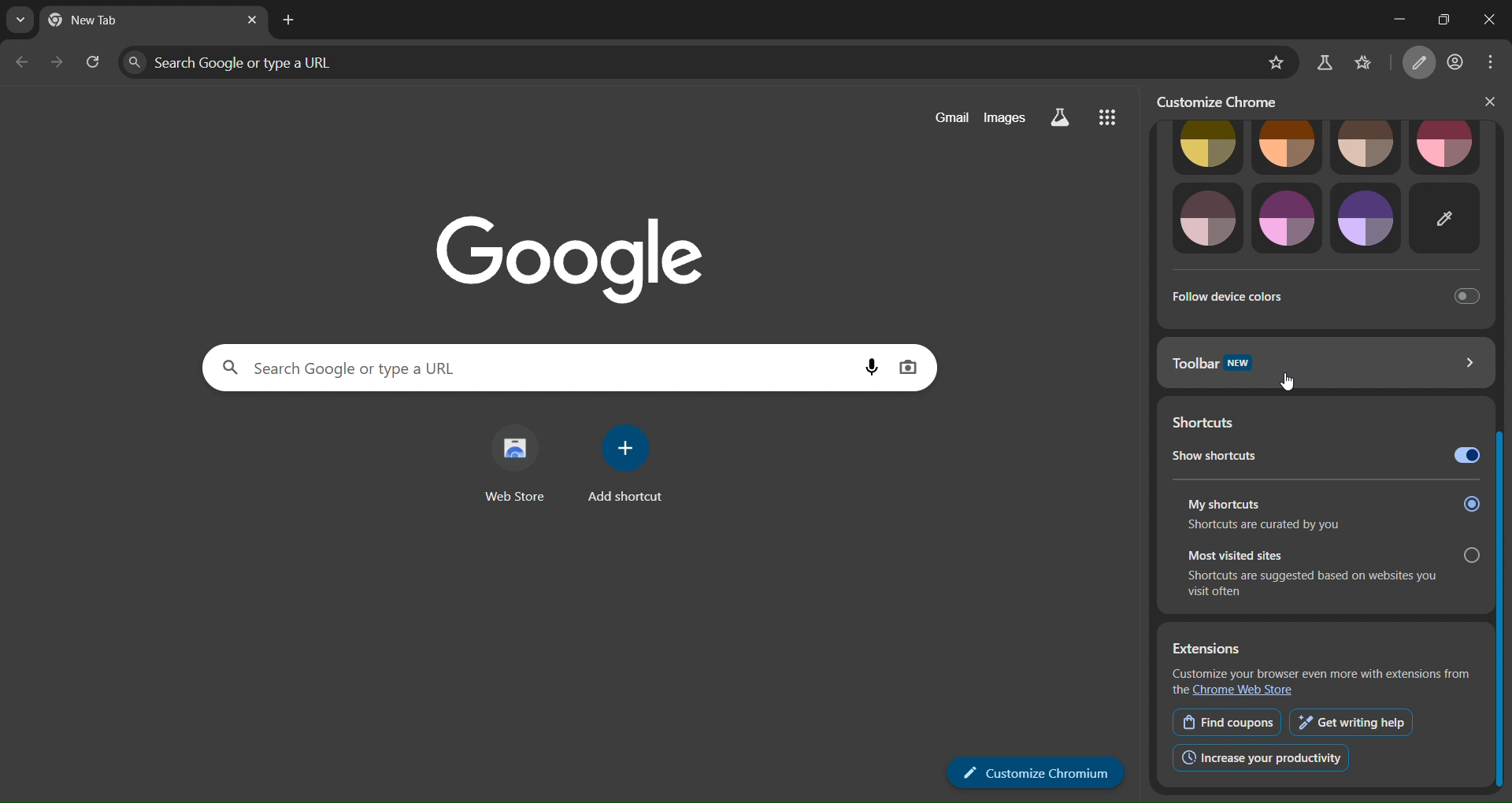 This screenshot has width=1512, height=803. I want to click on reload page, so click(94, 65).